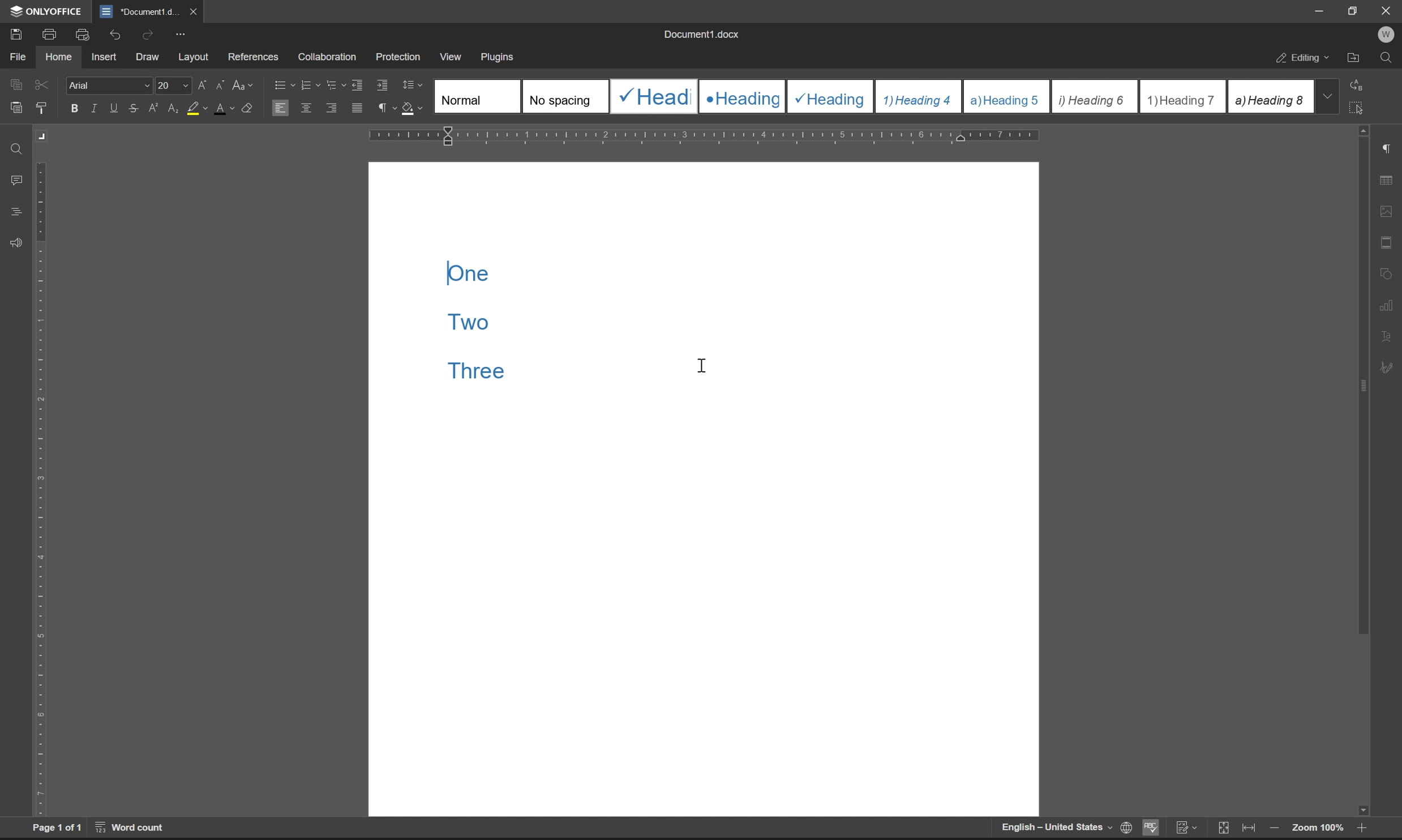 This screenshot has width=1402, height=840. Describe the element at coordinates (742, 97) in the screenshot. I see `Heading 2` at that location.